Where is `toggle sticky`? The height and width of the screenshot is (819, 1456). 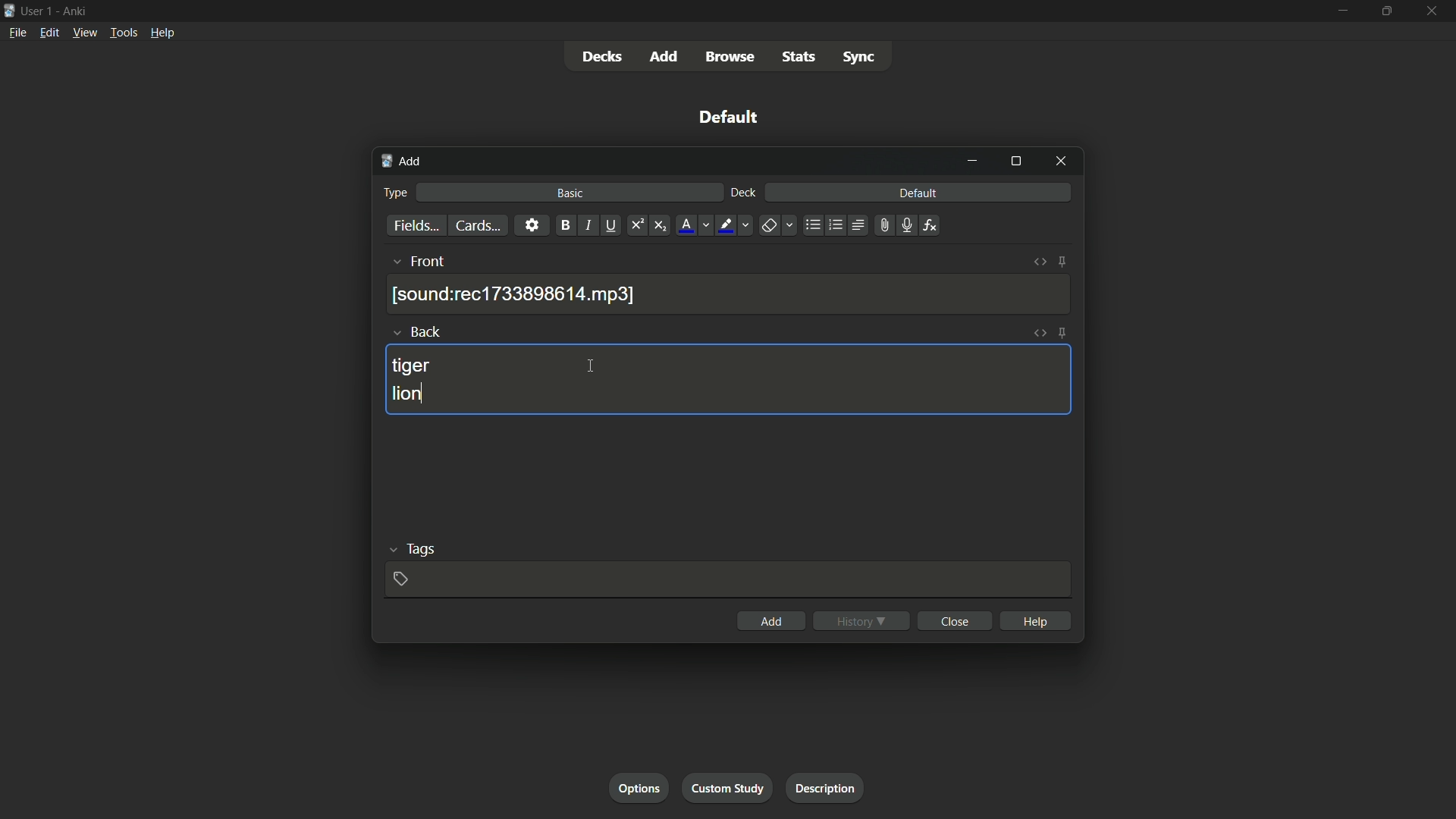 toggle sticky is located at coordinates (1062, 262).